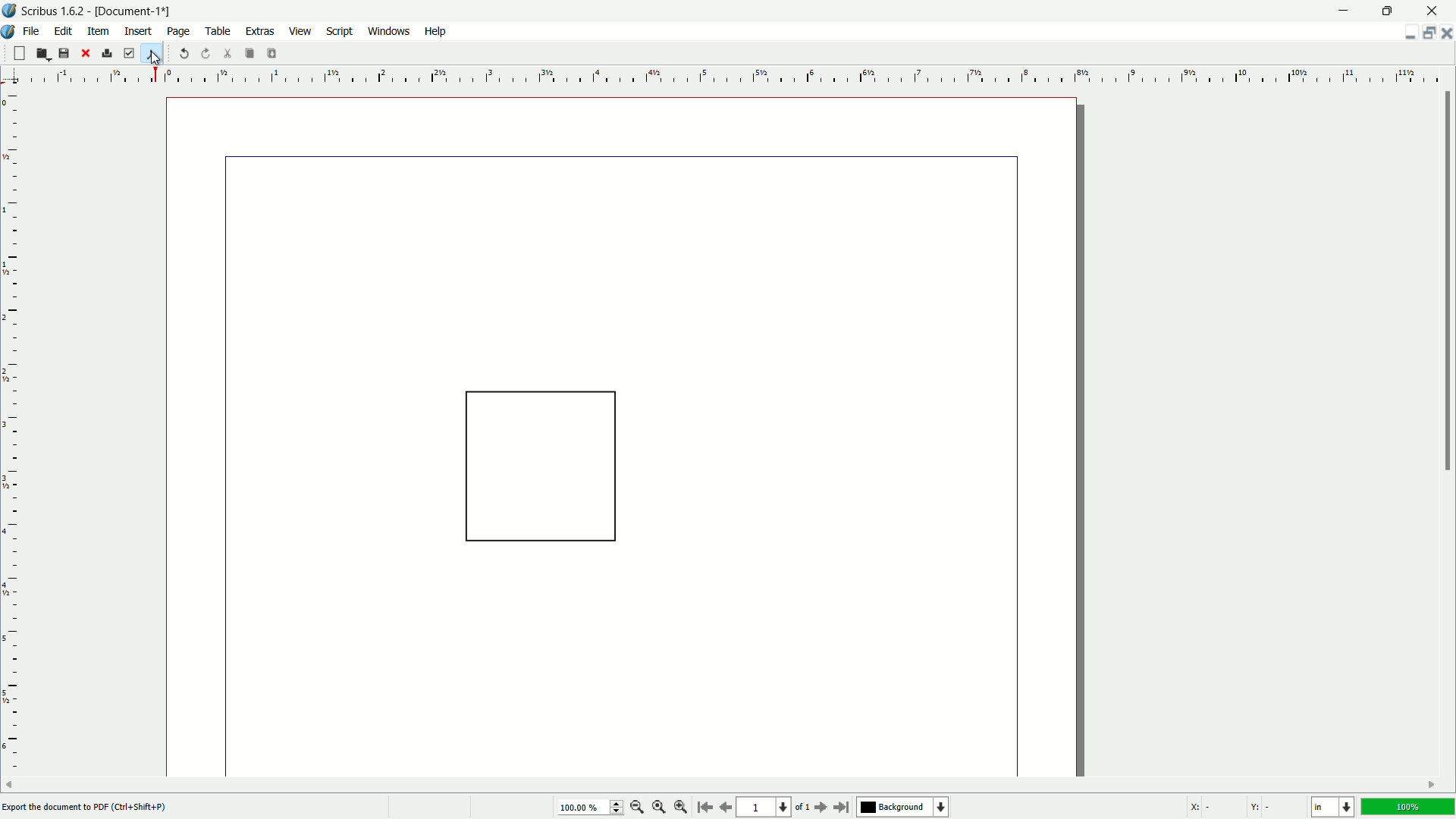 Image resolution: width=1456 pixels, height=819 pixels. What do you see at coordinates (274, 53) in the screenshot?
I see `paste` at bounding box center [274, 53].